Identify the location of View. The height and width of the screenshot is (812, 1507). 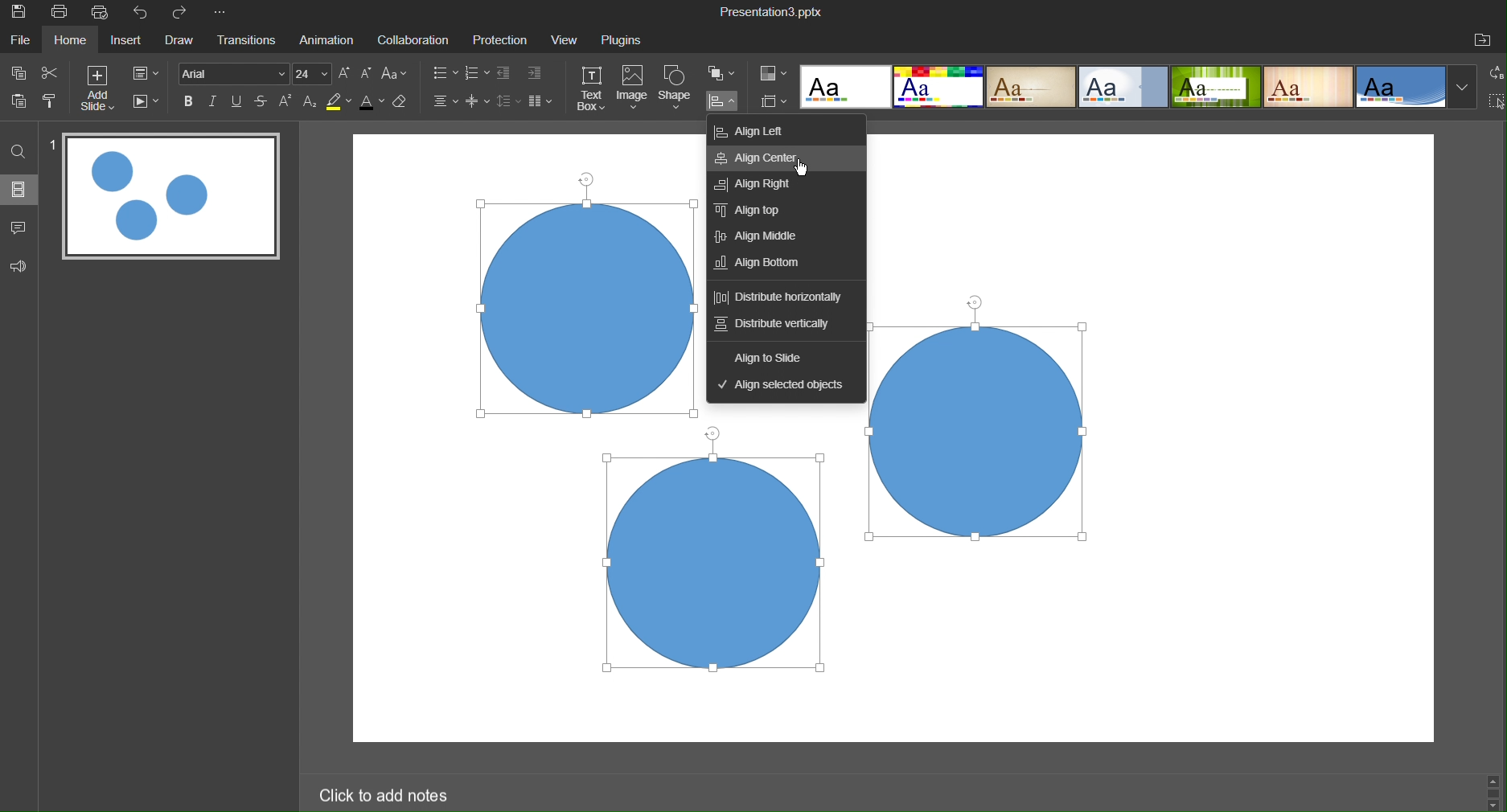
(566, 40).